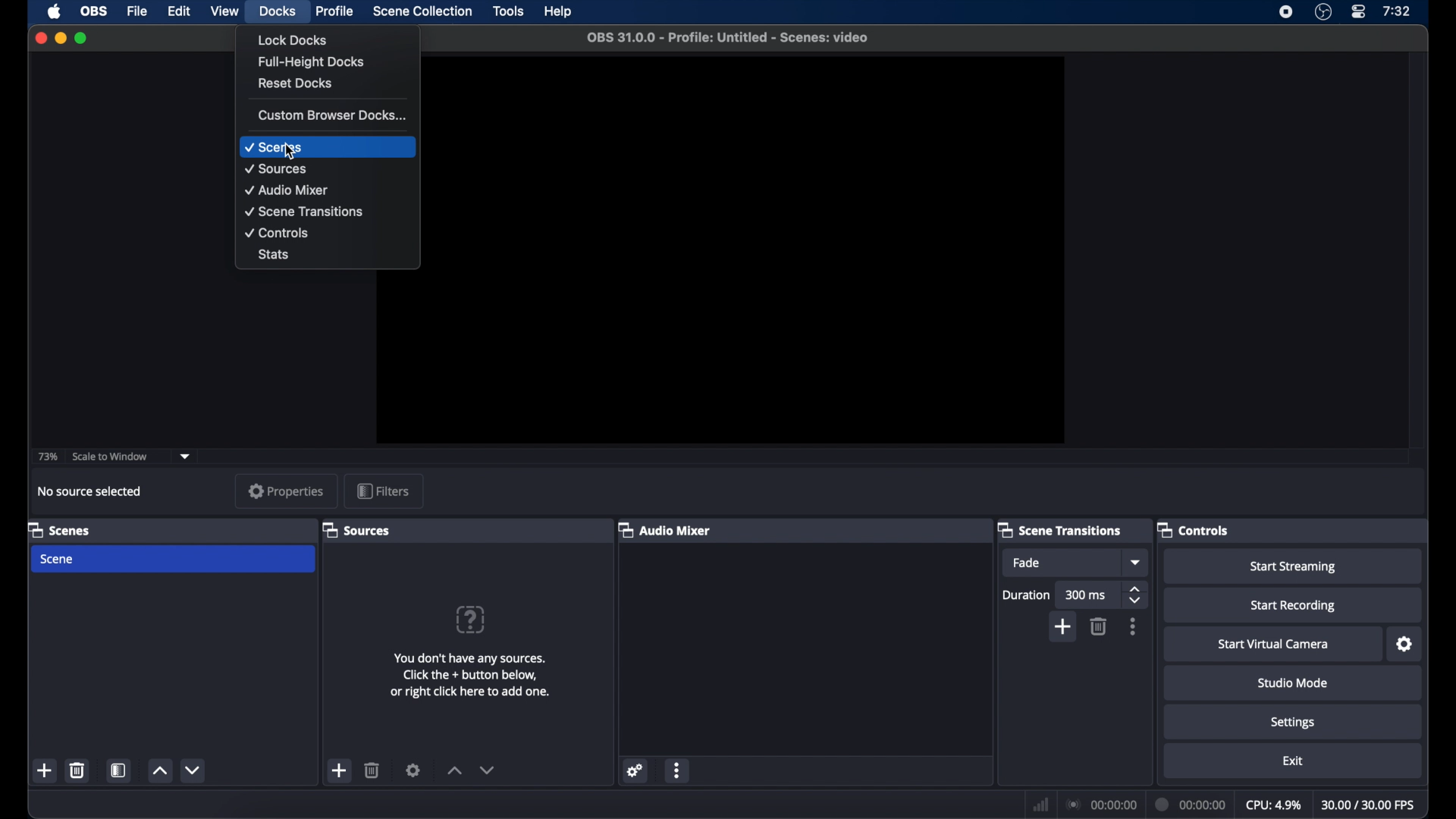 This screenshot has width=1456, height=819. I want to click on cursor, so click(288, 153).